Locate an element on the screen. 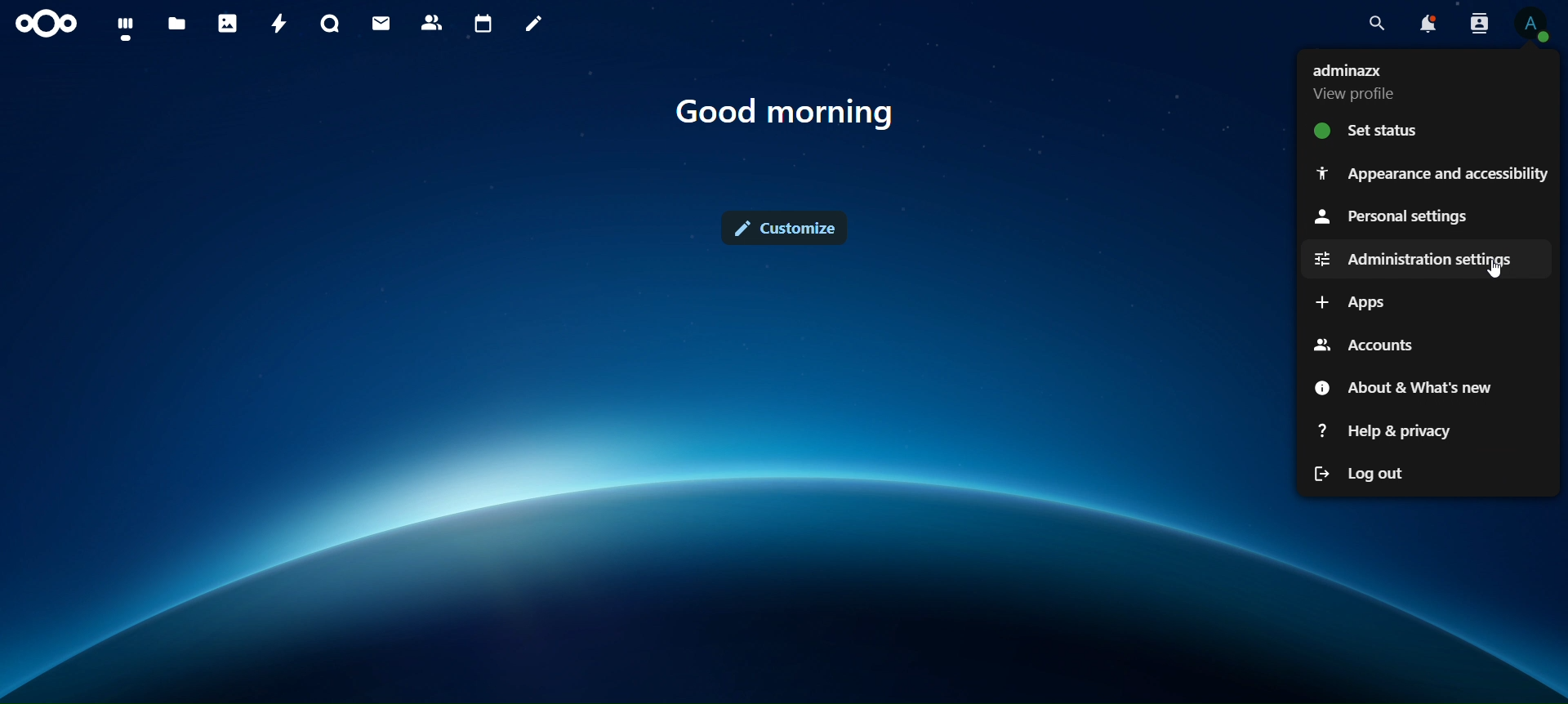  search is located at coordinates (1373, 25).